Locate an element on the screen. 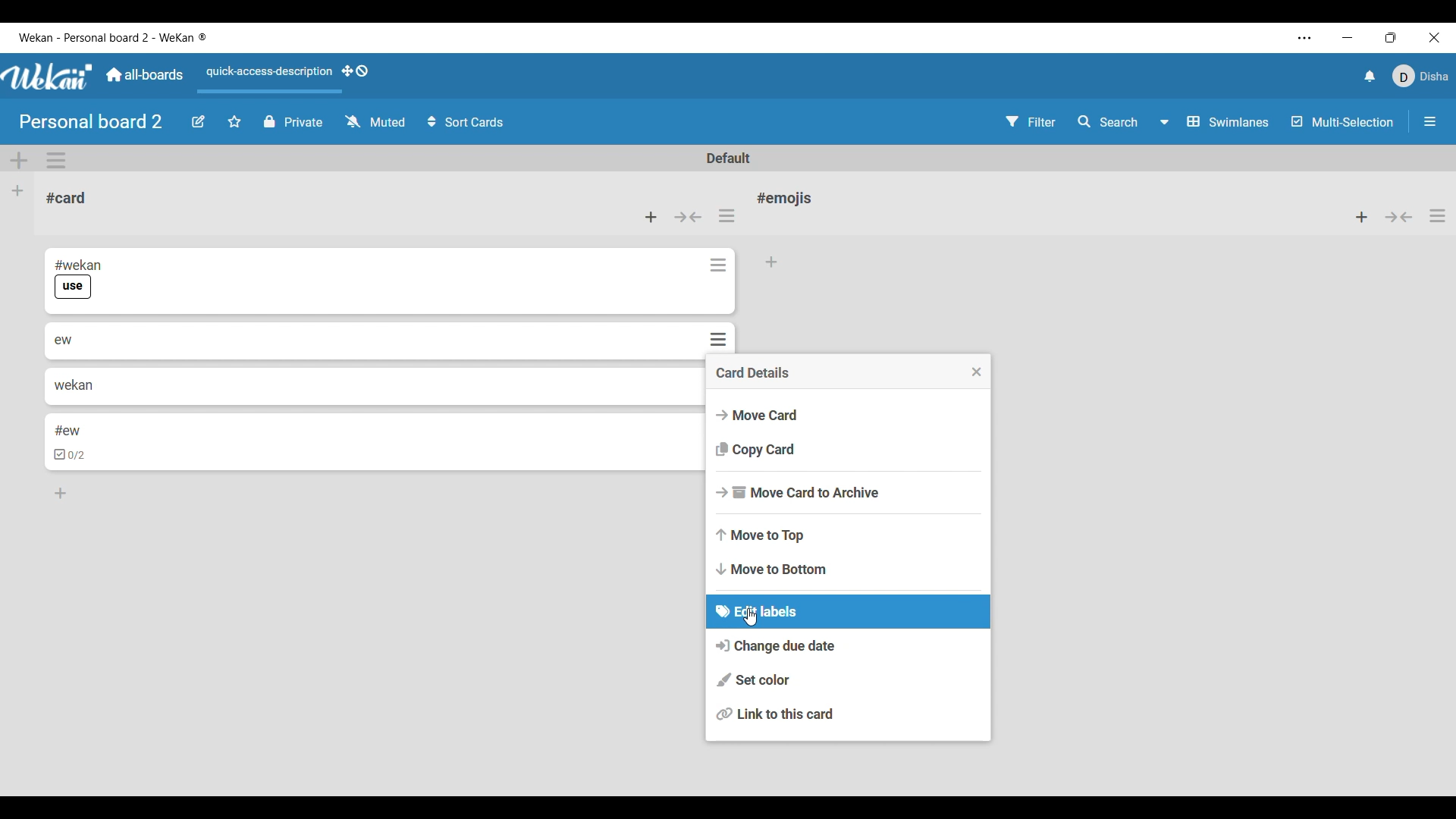  #ew is located at coordinates (67, 430).